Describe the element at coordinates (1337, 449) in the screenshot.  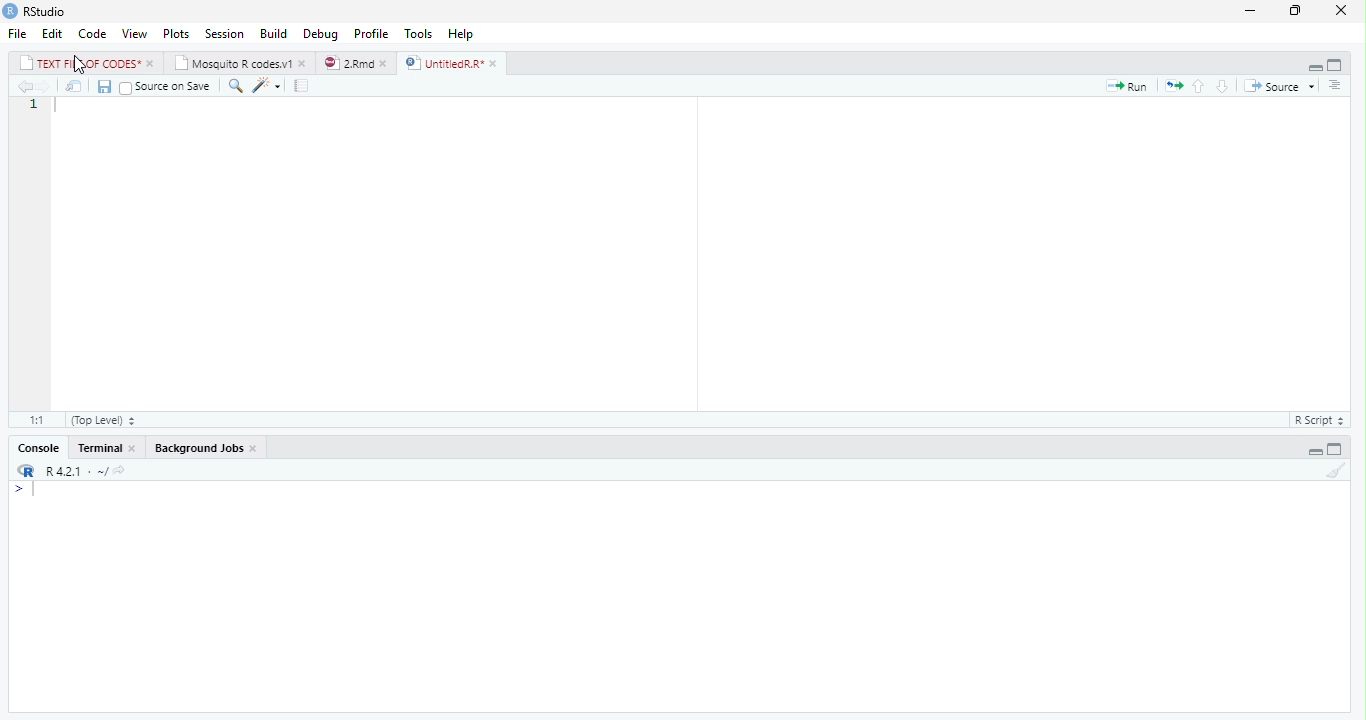
I see `Full Height` at that location.